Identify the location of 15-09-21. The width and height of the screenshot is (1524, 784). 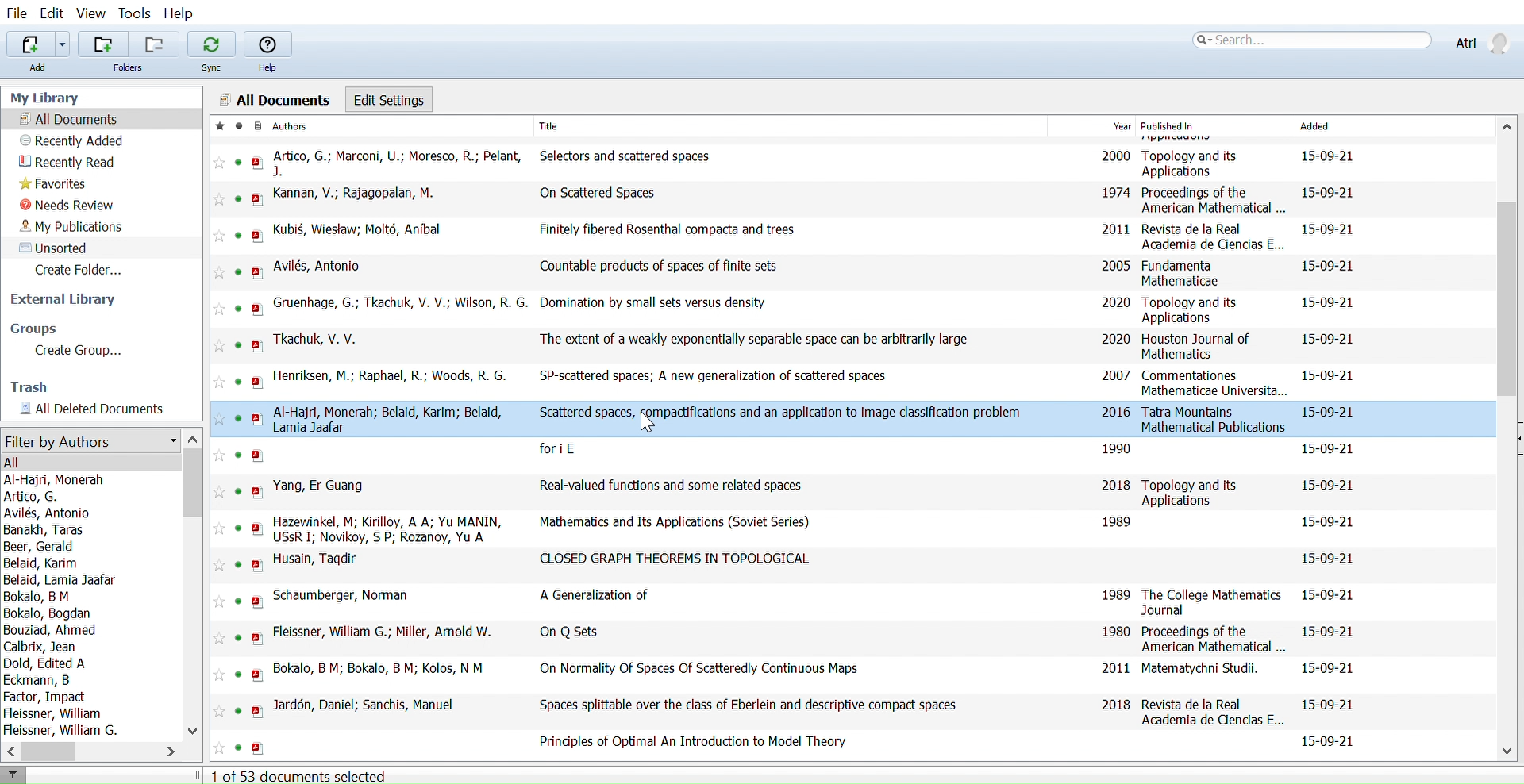
(1330, 449).